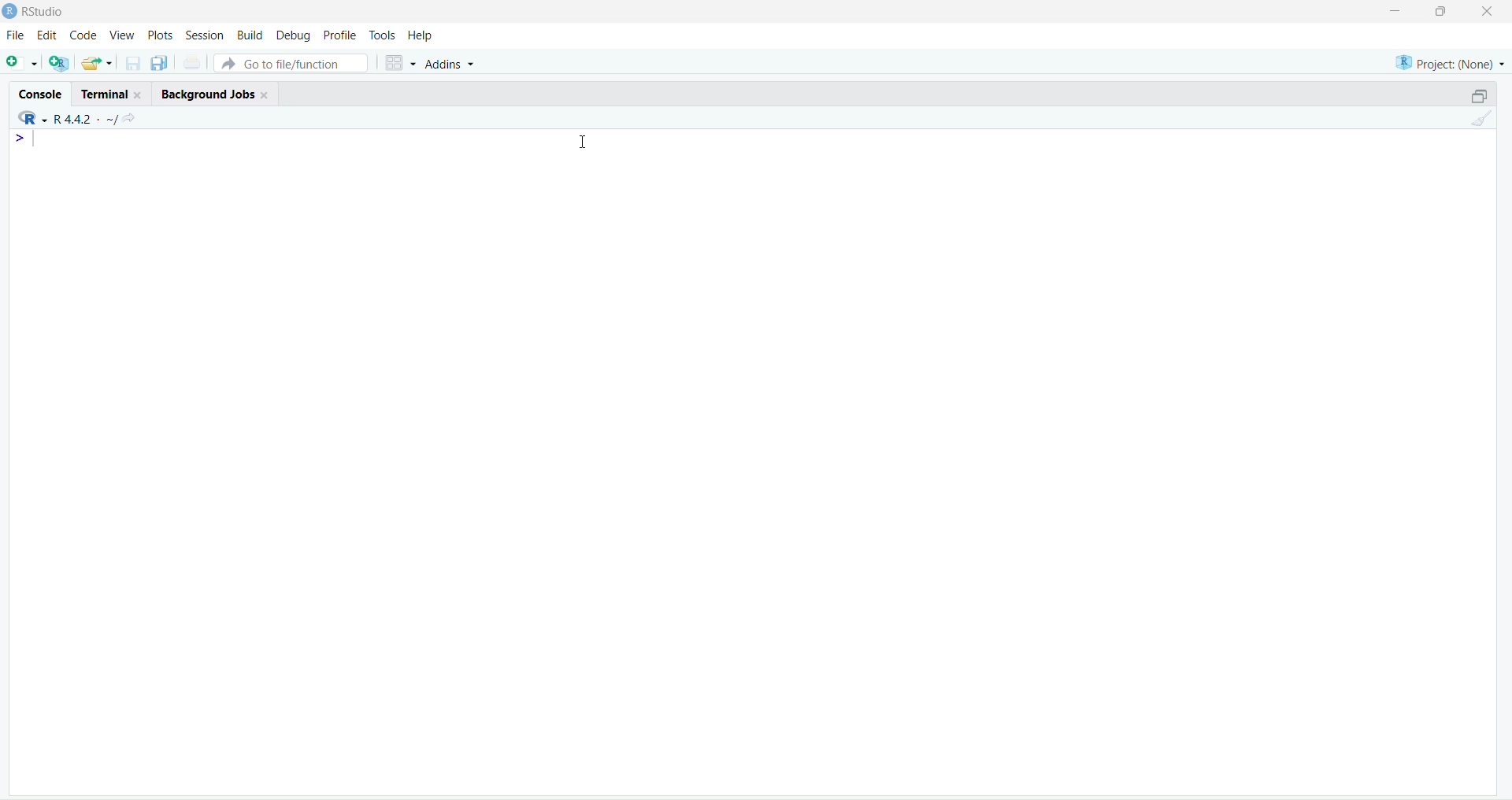 The width and height of the screenshot is (1512, 800). I want to click on grid, so click(402, 64).